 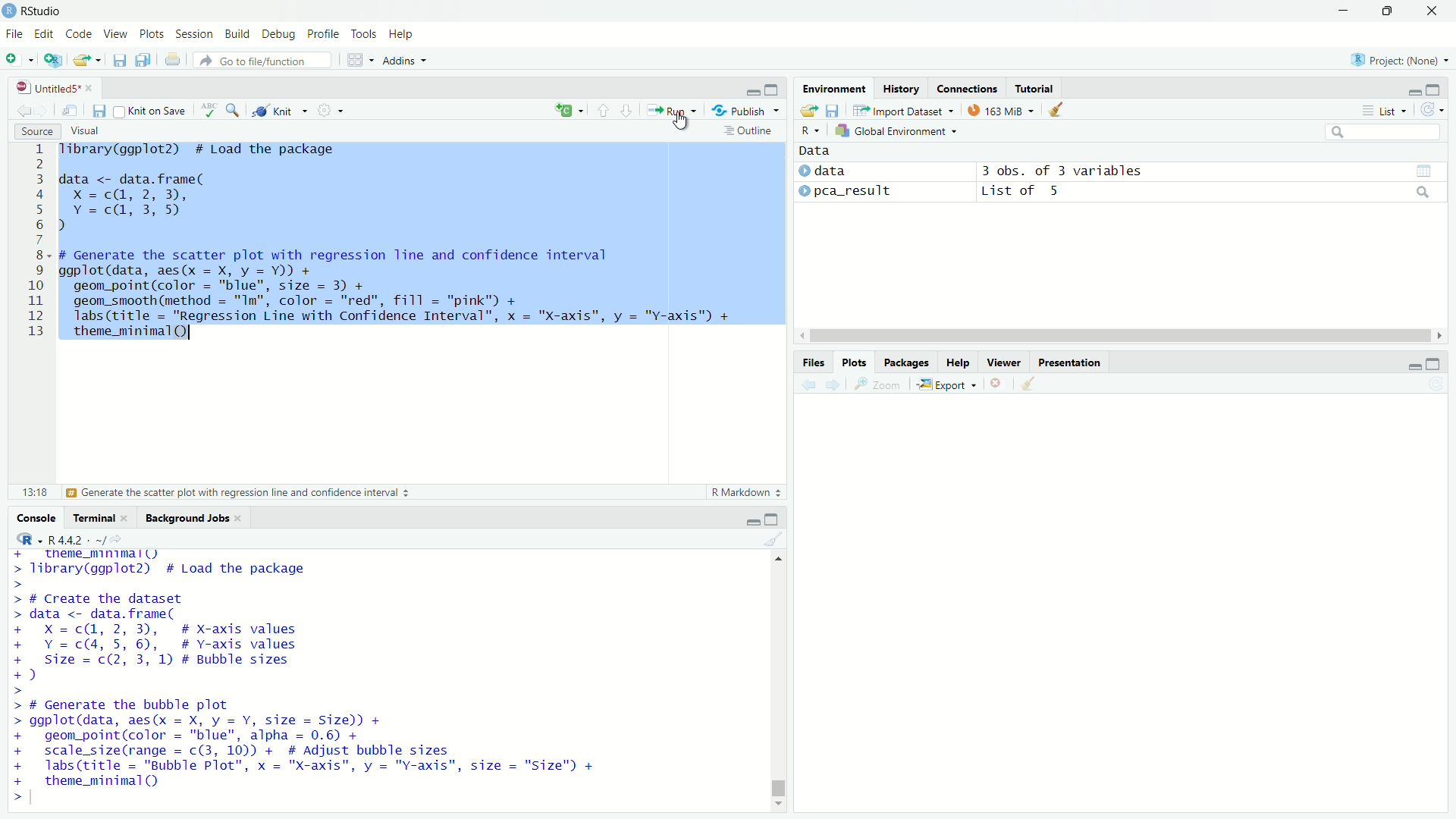 I want to click on Open an existing file, so click(x=77, y=60).